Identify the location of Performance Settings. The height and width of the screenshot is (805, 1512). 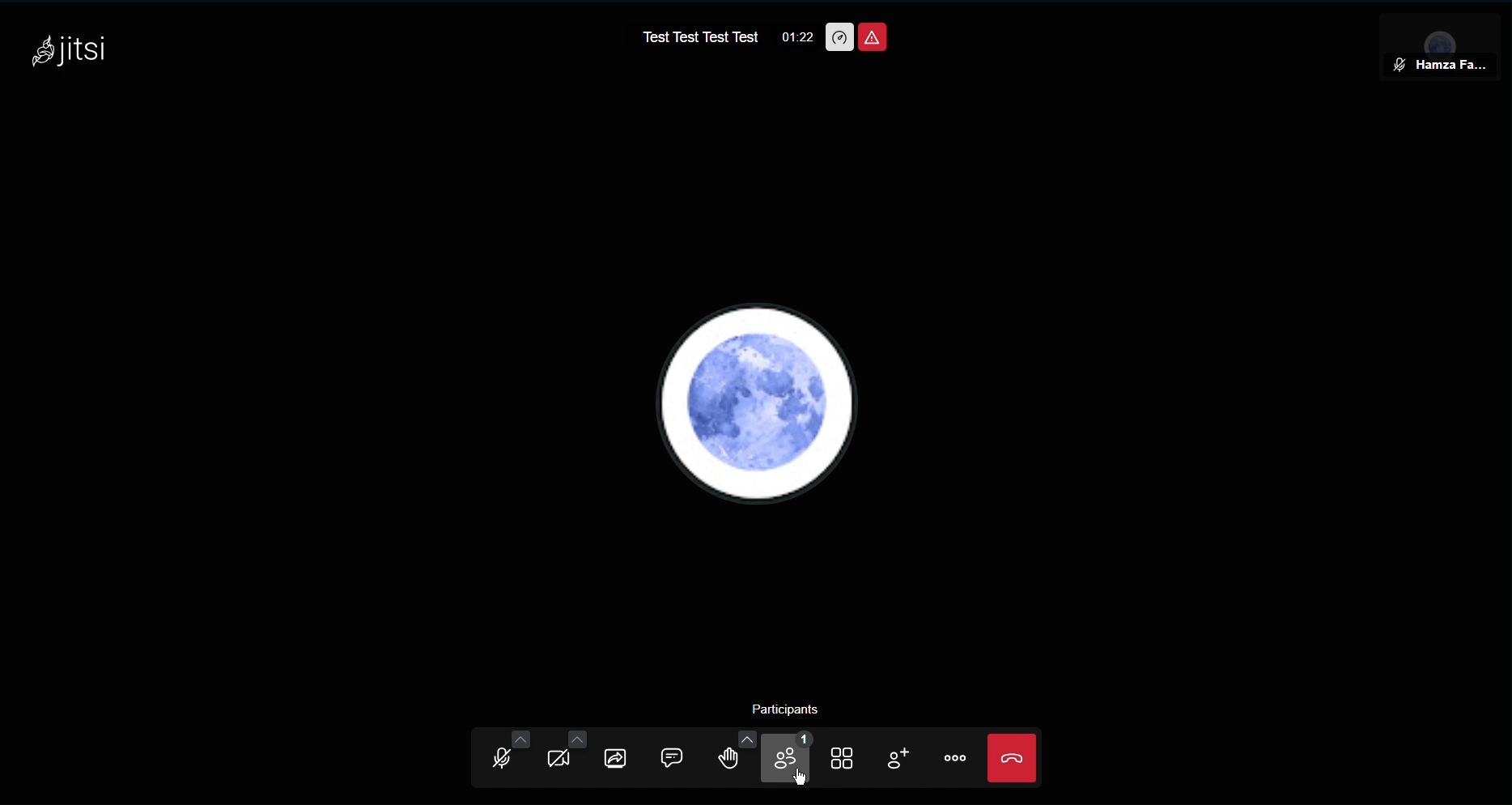
(839, 36).